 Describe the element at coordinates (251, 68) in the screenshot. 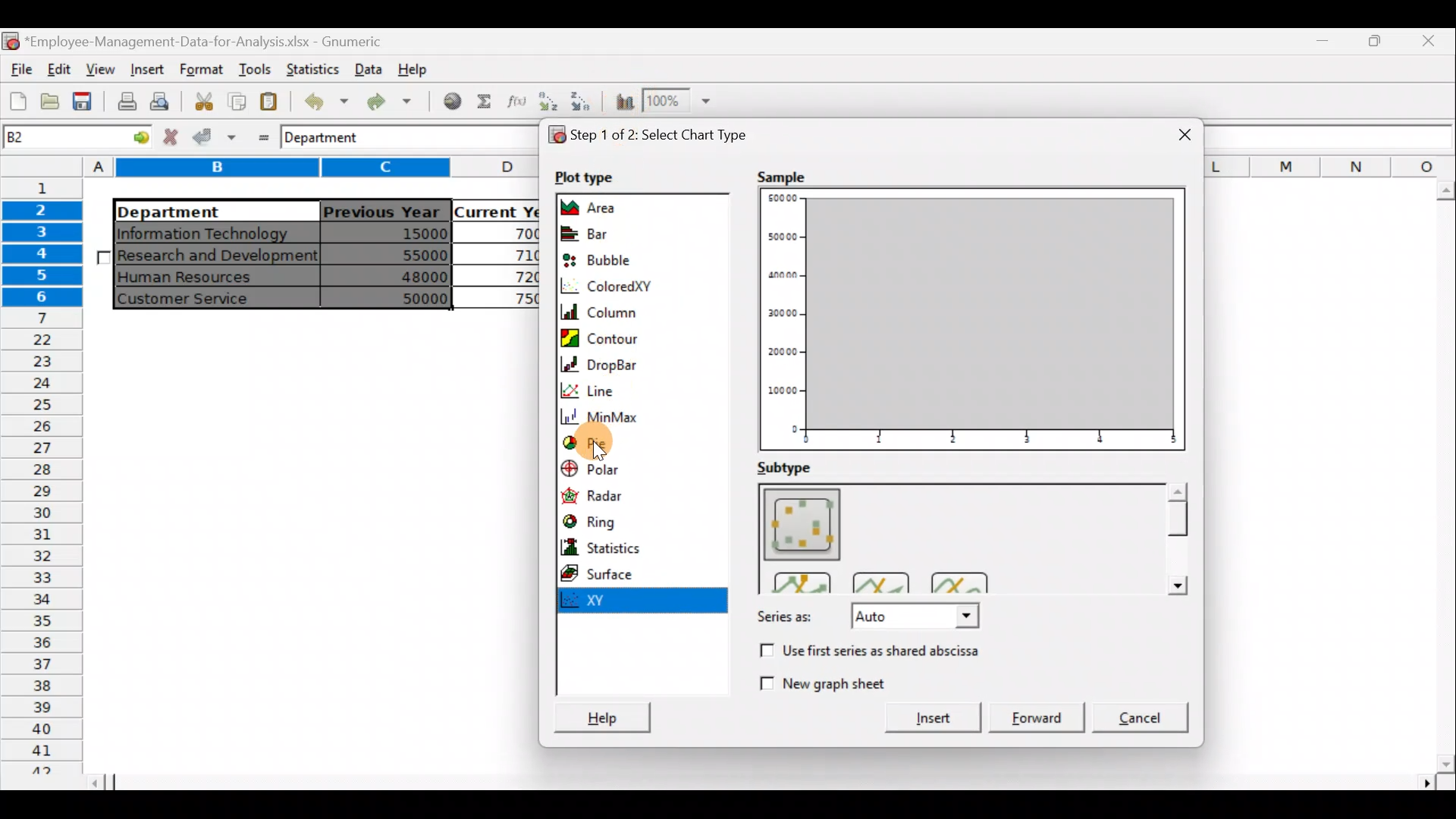

I see `Tools` at that location.